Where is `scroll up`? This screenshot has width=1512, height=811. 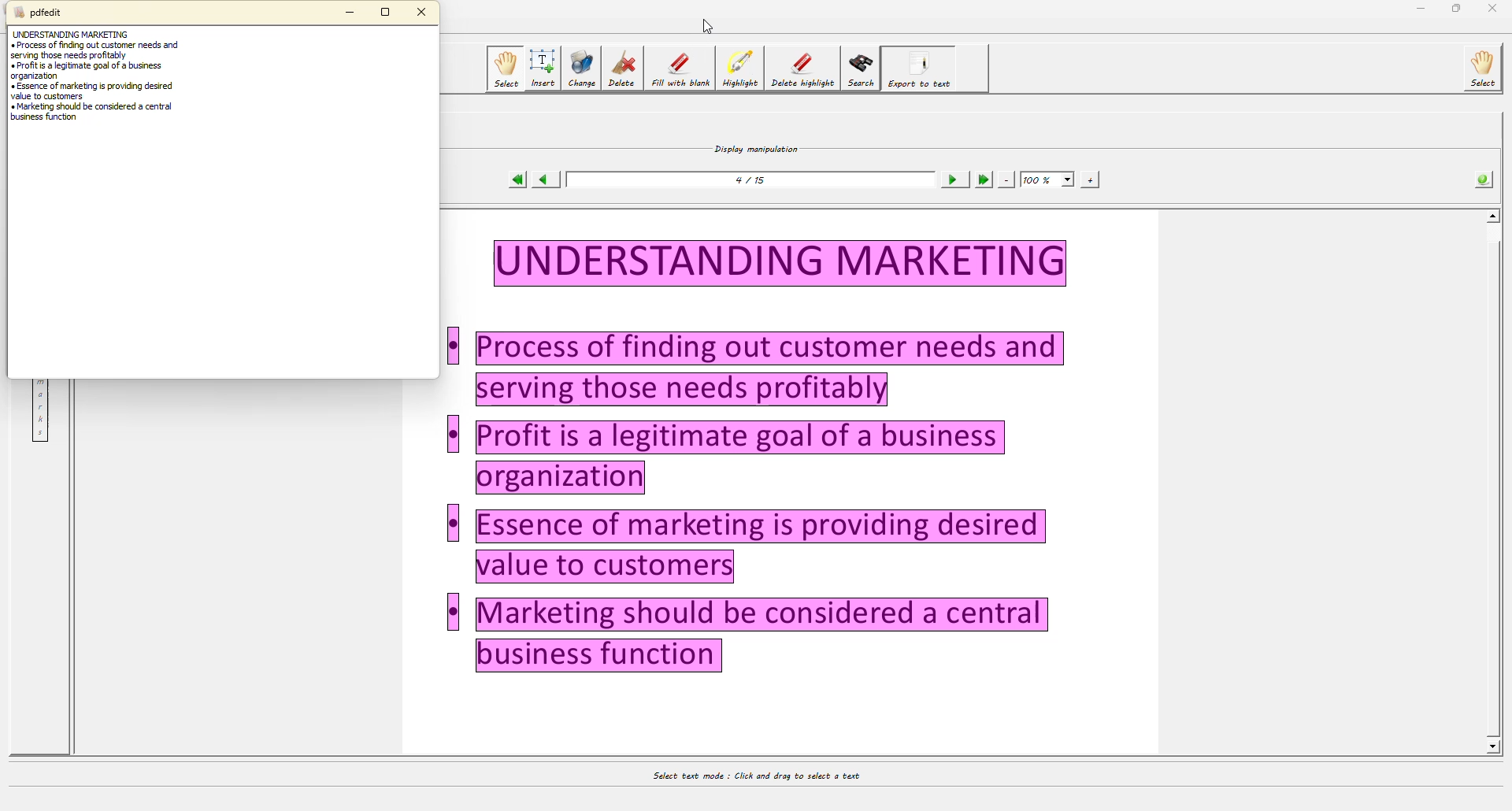
scroll up is located at coordinates (1494, 215).